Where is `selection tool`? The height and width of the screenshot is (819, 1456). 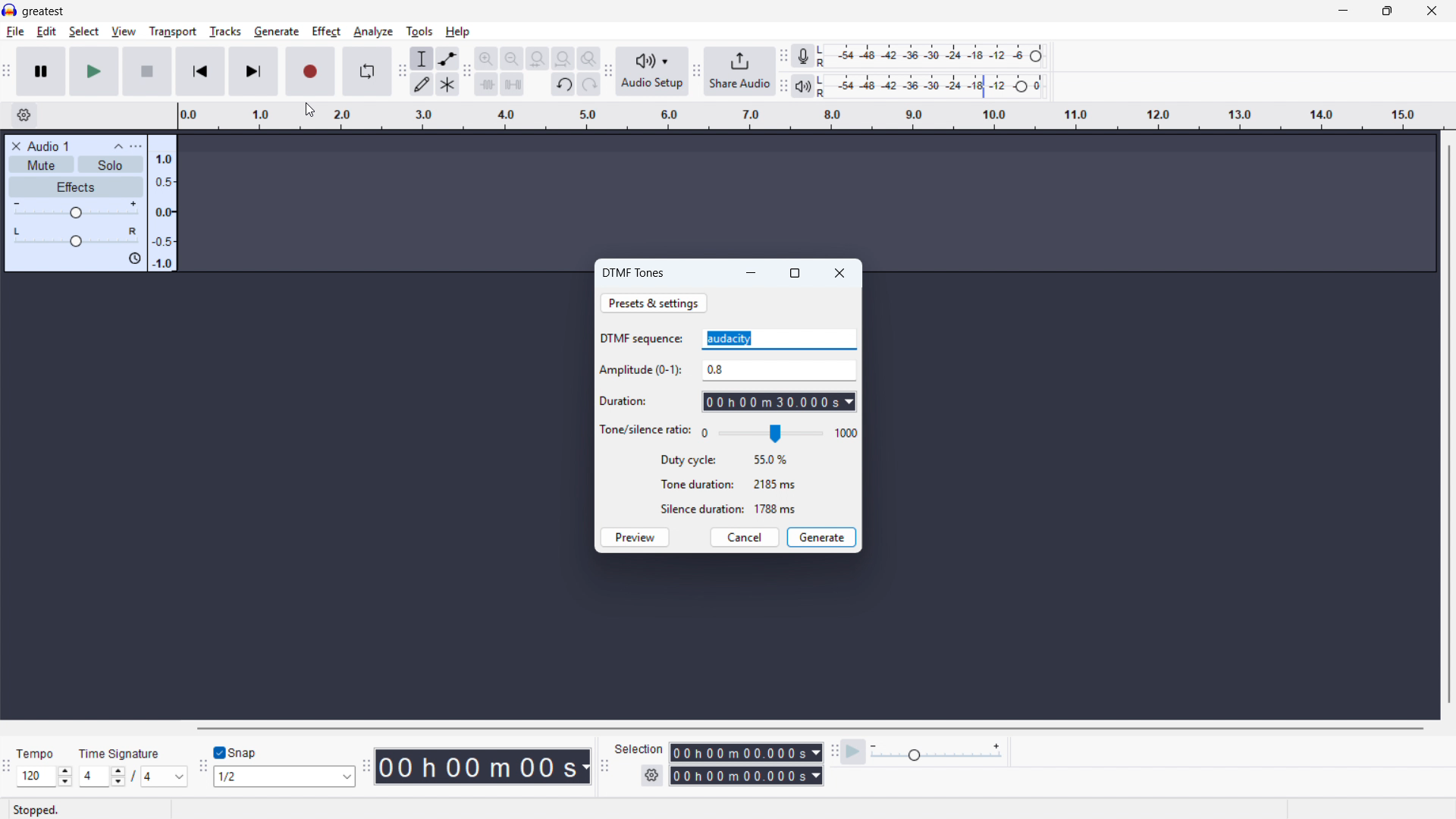 selection tool is located at coordinates (422, 58).